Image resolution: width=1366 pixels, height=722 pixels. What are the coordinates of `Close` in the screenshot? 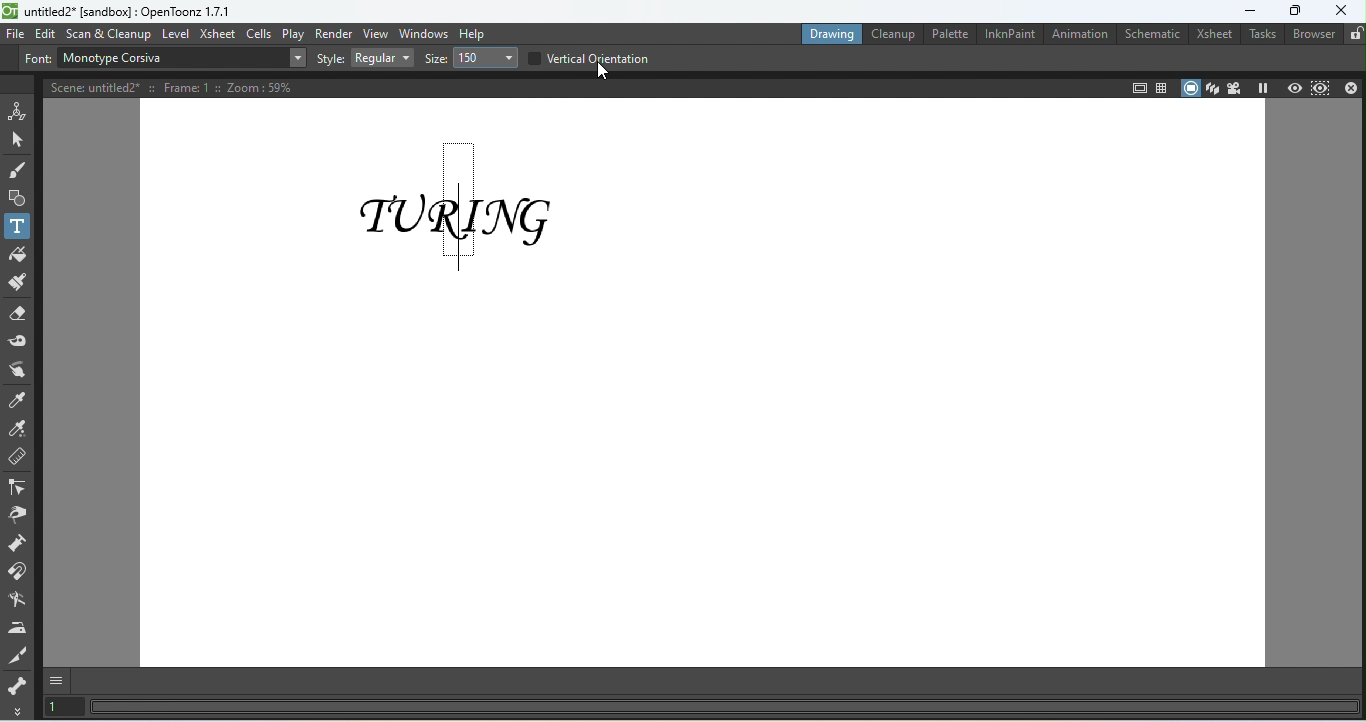 It's located at (1350, 88).